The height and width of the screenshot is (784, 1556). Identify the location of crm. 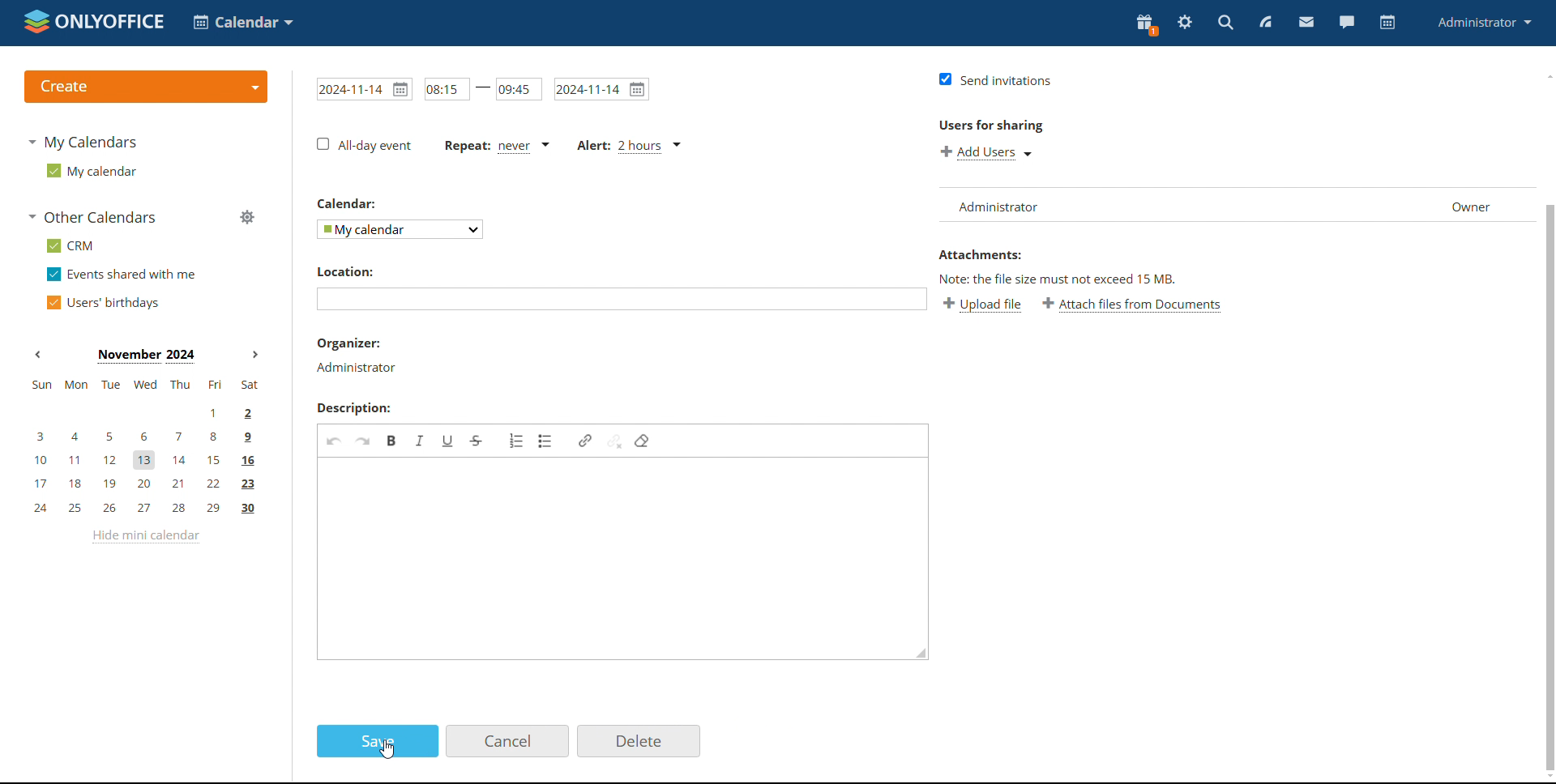
(68, 246).